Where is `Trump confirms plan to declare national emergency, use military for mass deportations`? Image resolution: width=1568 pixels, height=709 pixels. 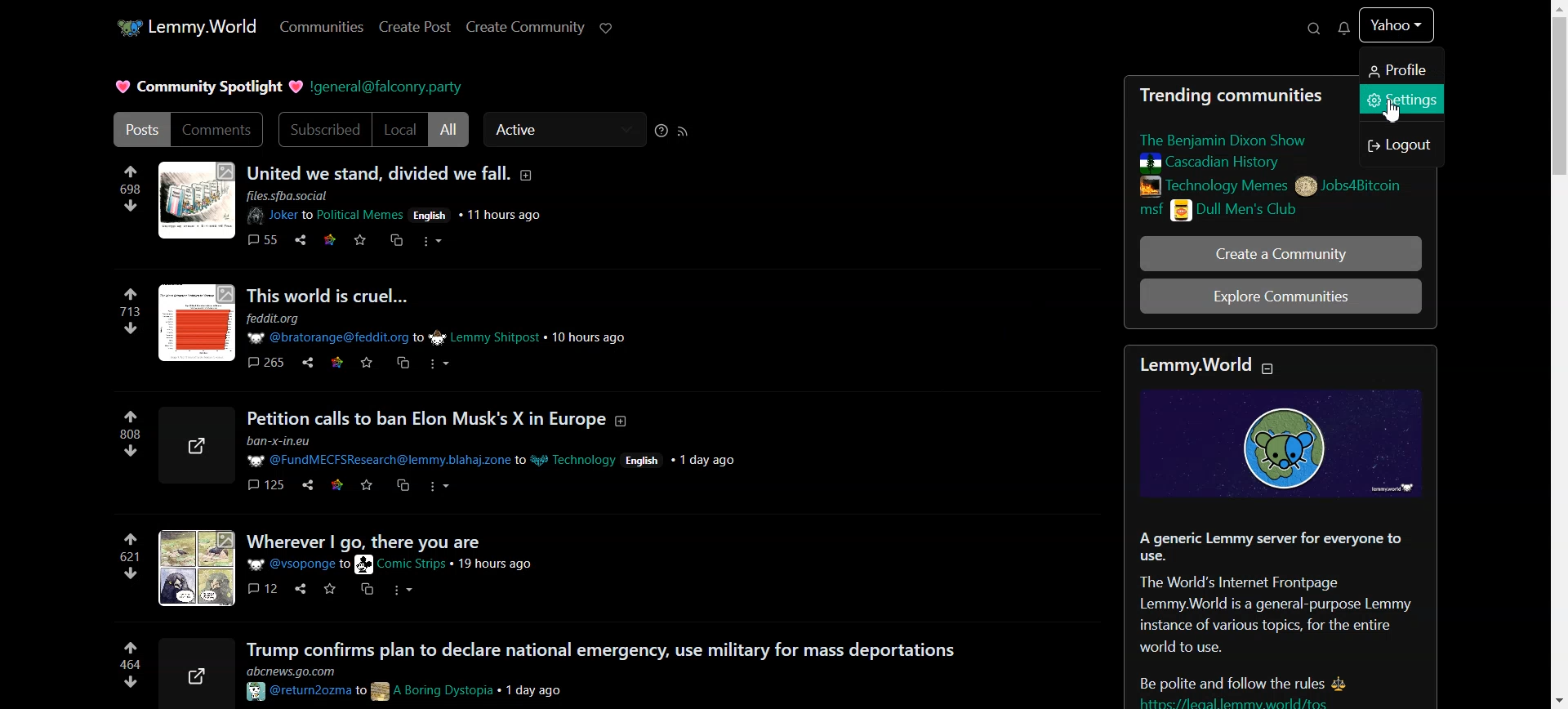 Trump confirms plan to declare national emergency, use military for mass deportations is located at coordinates (599, 649).